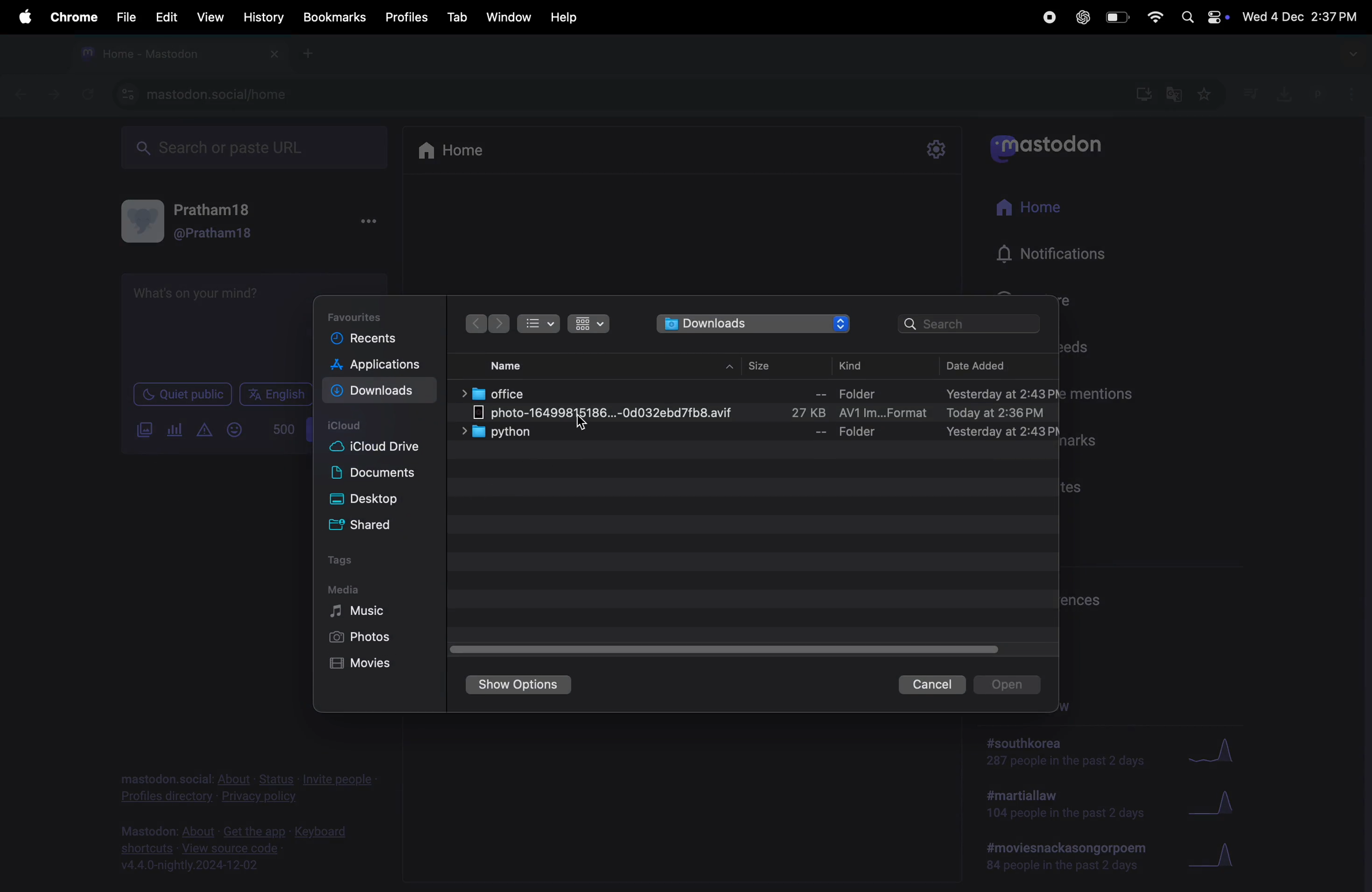 The image size is (1372, 892). I want to click on open, so click(1007, 685).